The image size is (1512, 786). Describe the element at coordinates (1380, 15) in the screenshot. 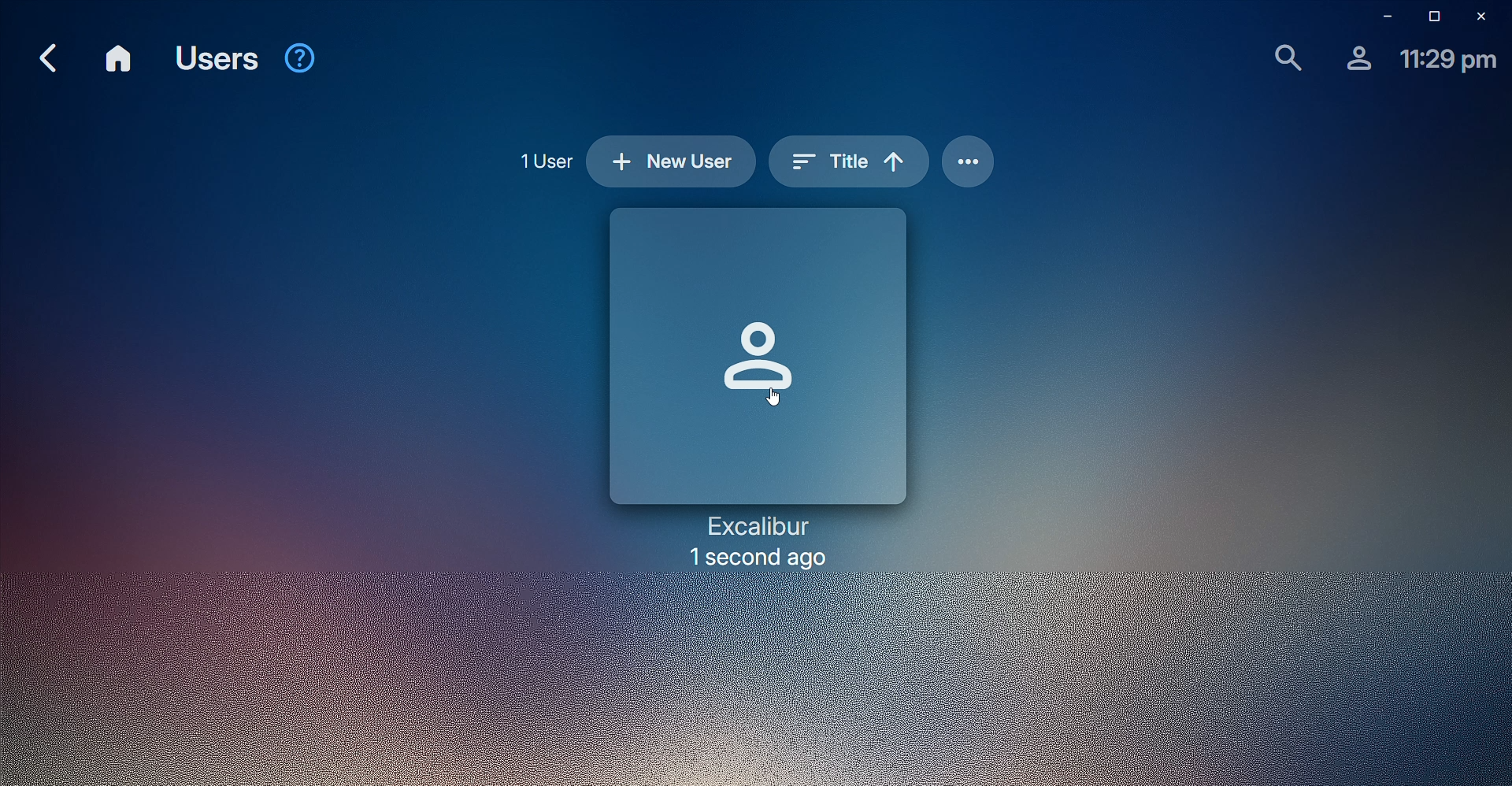

I see `Minimize` at that location.